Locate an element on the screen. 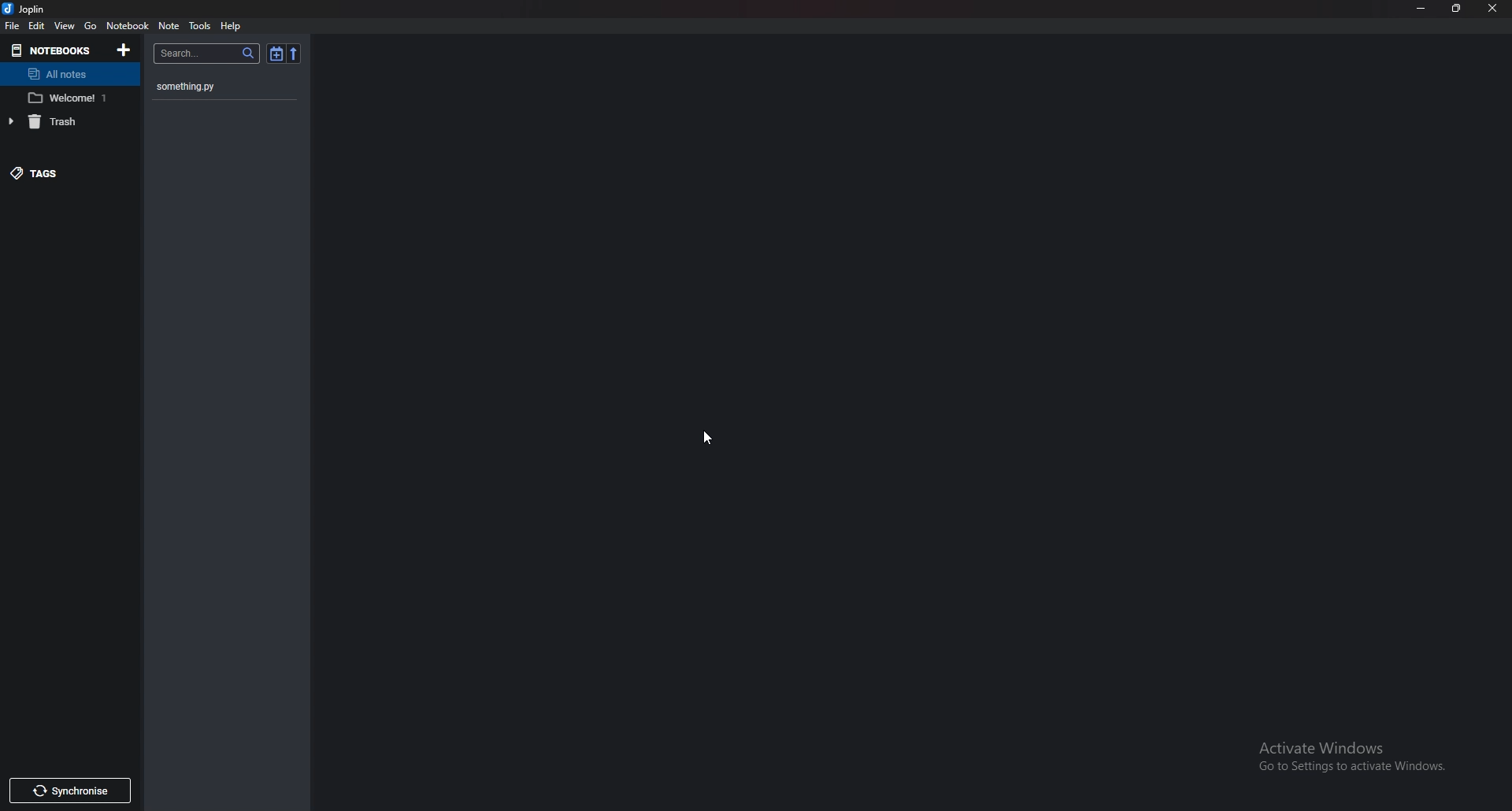  Notebooks is located at coordinates (50, 50).